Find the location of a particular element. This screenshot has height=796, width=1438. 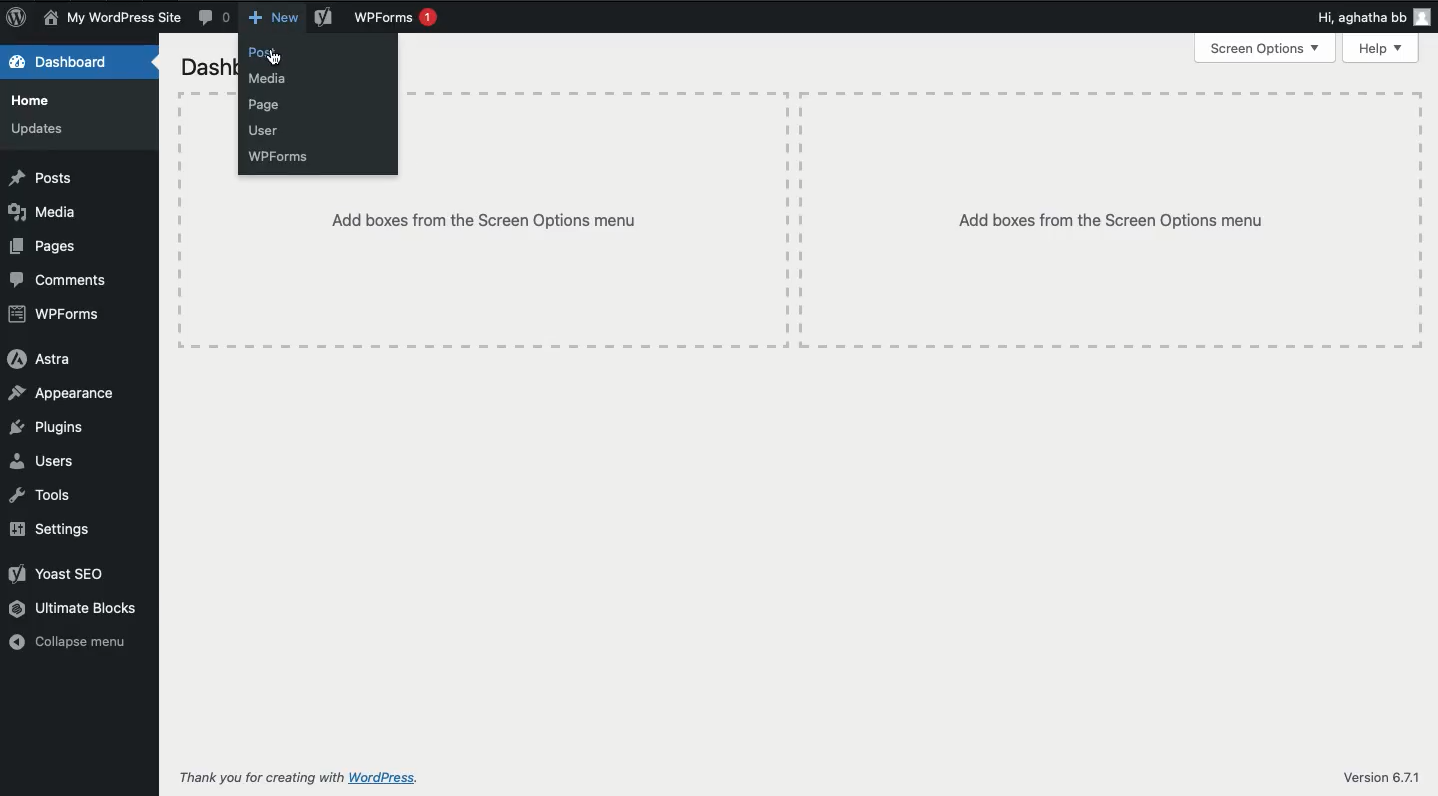

Version 6.7.1 is located at coordinates (1380, 777).